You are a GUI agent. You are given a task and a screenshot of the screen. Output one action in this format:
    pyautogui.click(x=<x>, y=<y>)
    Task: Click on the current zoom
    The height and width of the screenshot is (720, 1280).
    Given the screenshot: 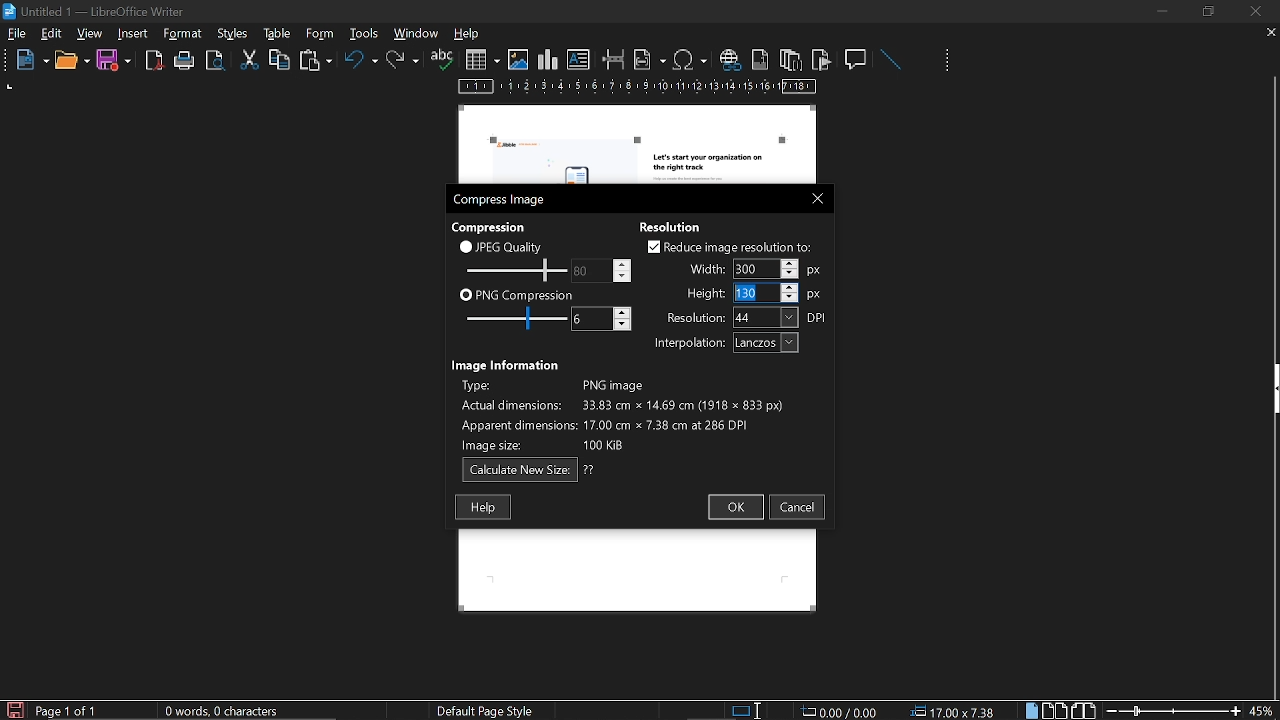 What is the action you would take?
    pyautogui.click(x=1263, y=710)
    